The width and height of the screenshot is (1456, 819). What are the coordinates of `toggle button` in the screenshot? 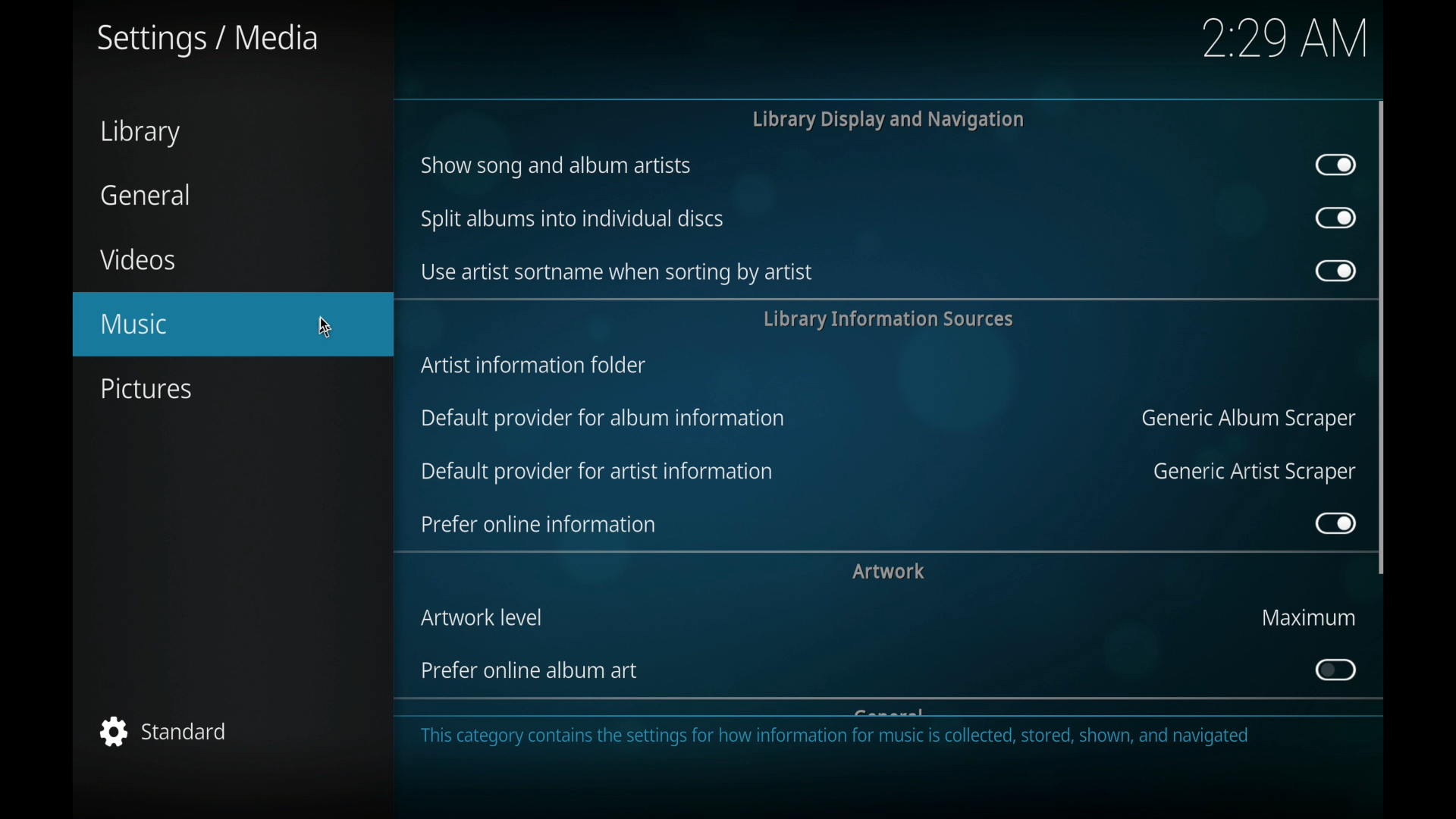 It's located at (1335, 271).